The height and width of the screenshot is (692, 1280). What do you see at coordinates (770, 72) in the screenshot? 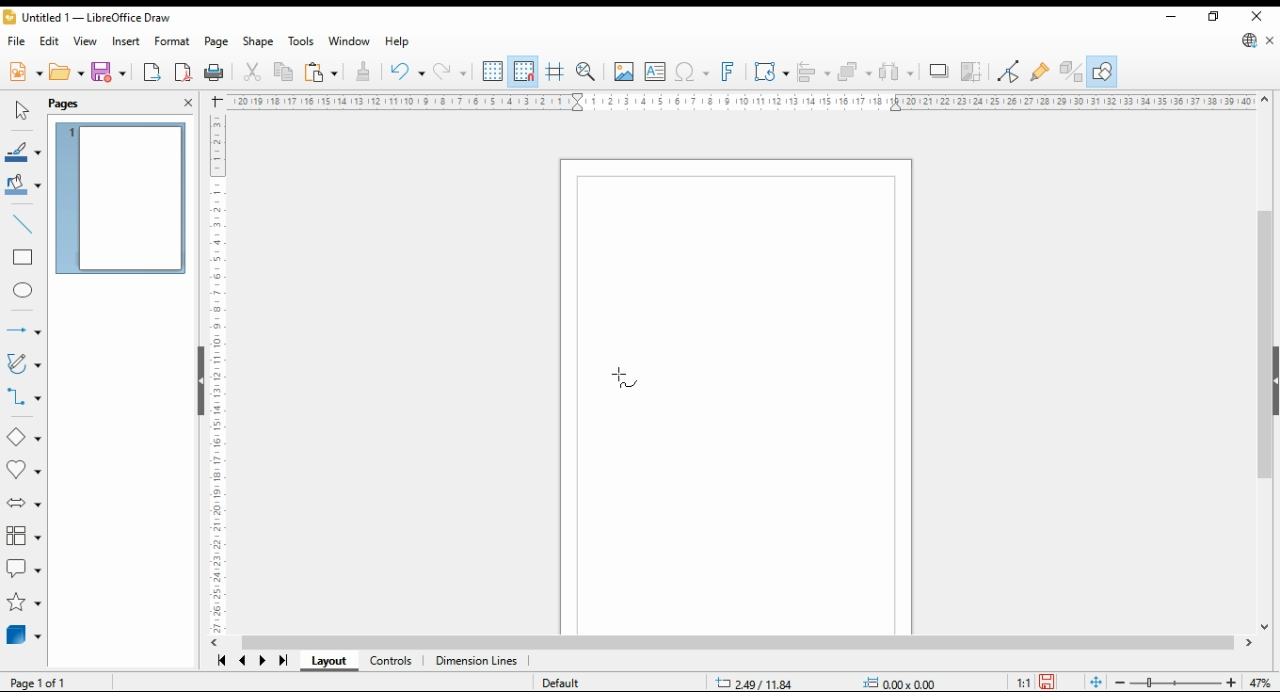
I see `transformations` at bounding box center [770, 72].